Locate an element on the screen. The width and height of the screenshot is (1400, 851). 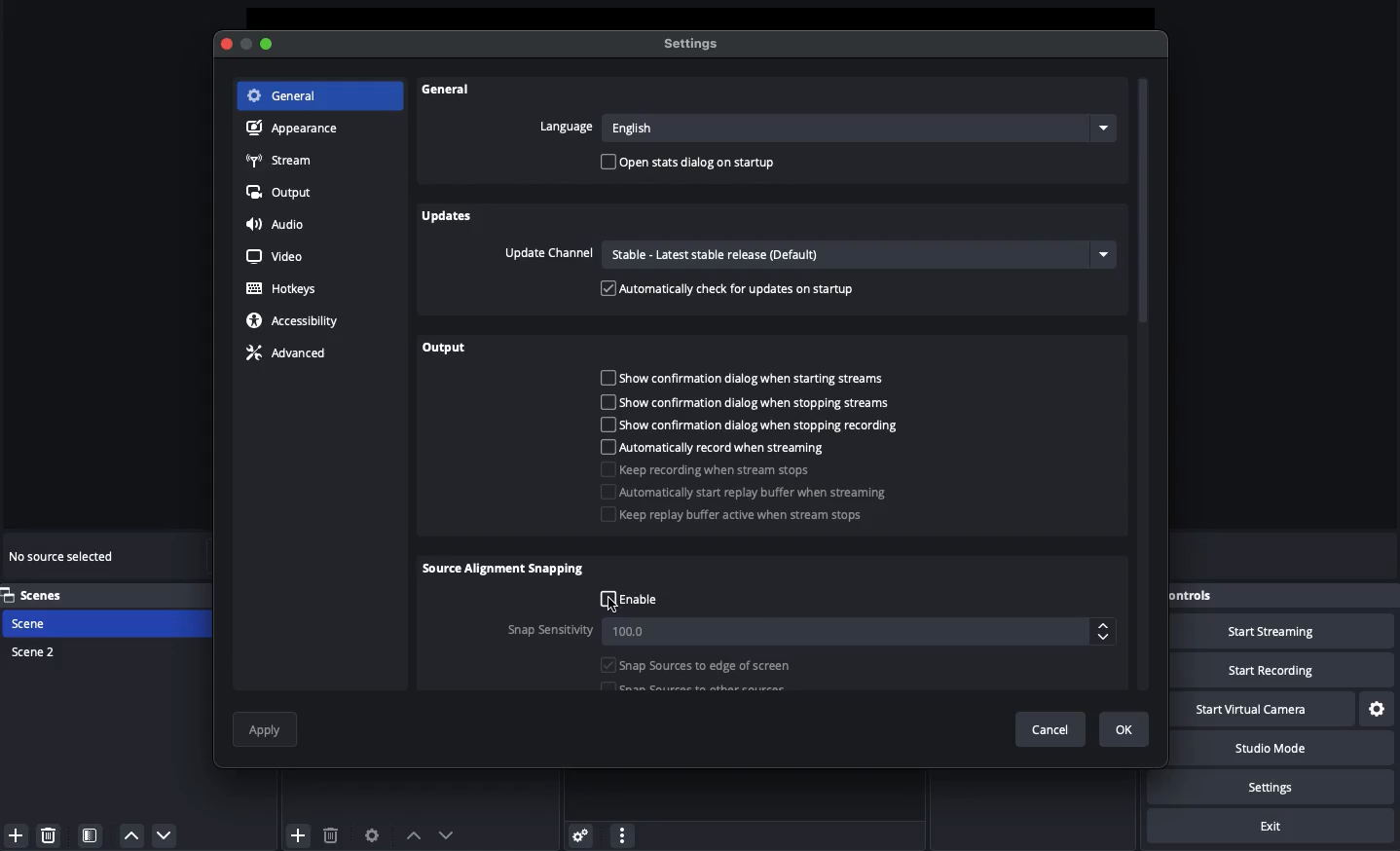
Maximize is located at coordinates (268, 45).